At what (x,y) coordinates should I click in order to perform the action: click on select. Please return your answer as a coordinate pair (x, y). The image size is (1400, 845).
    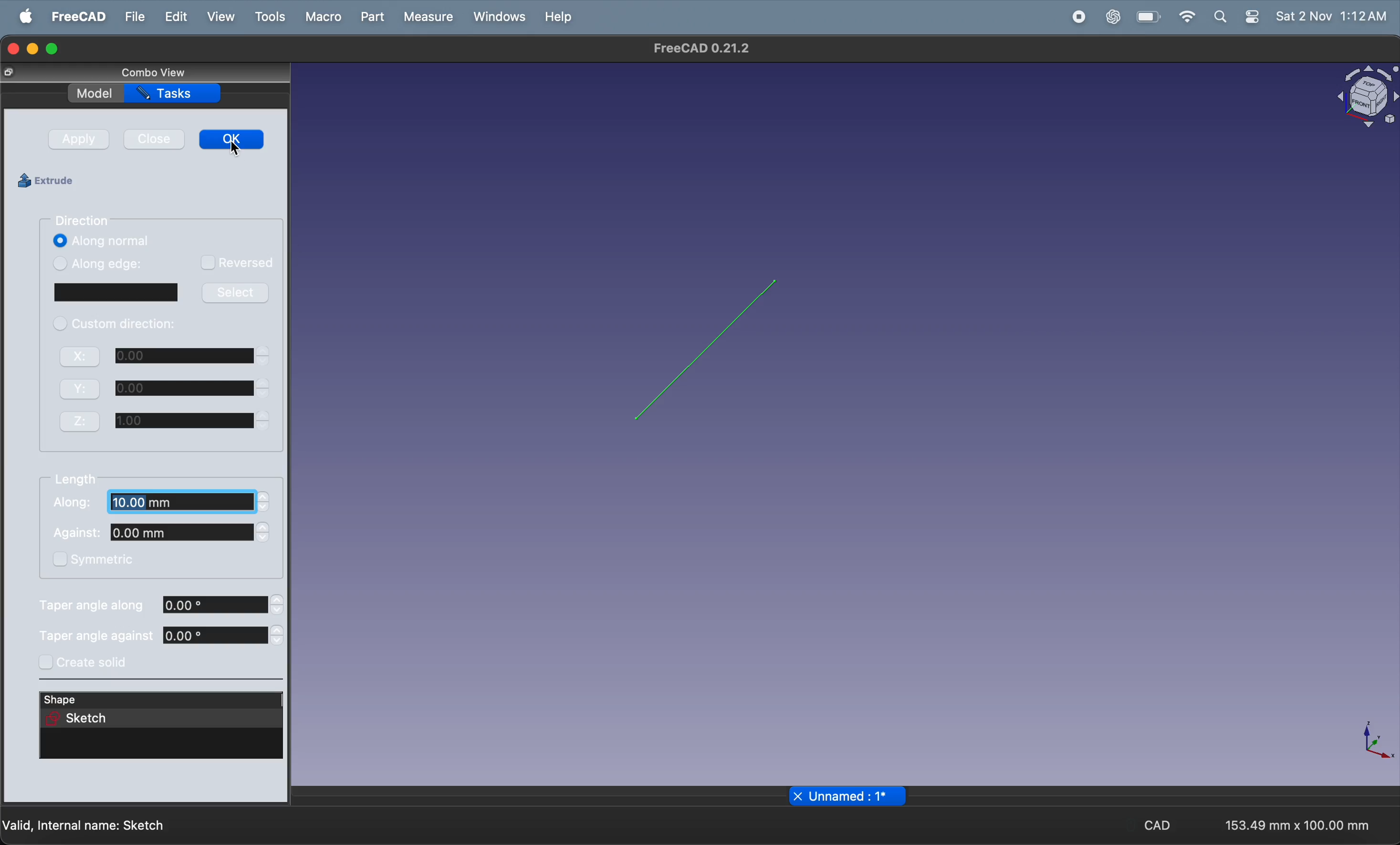
    Looking at the image, I should click on (238, 292).